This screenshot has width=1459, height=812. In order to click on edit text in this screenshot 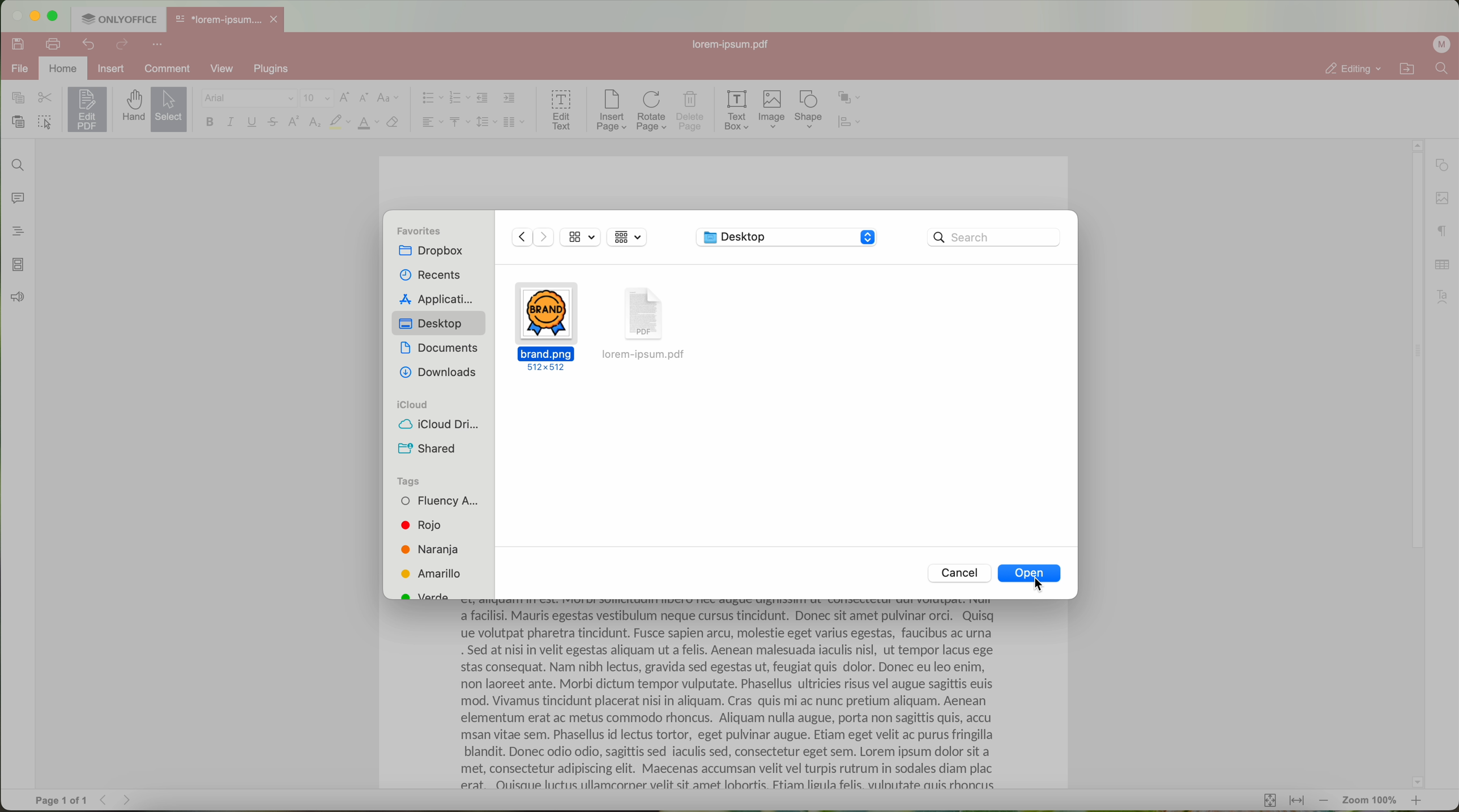, I will do `click(562, 109)`.